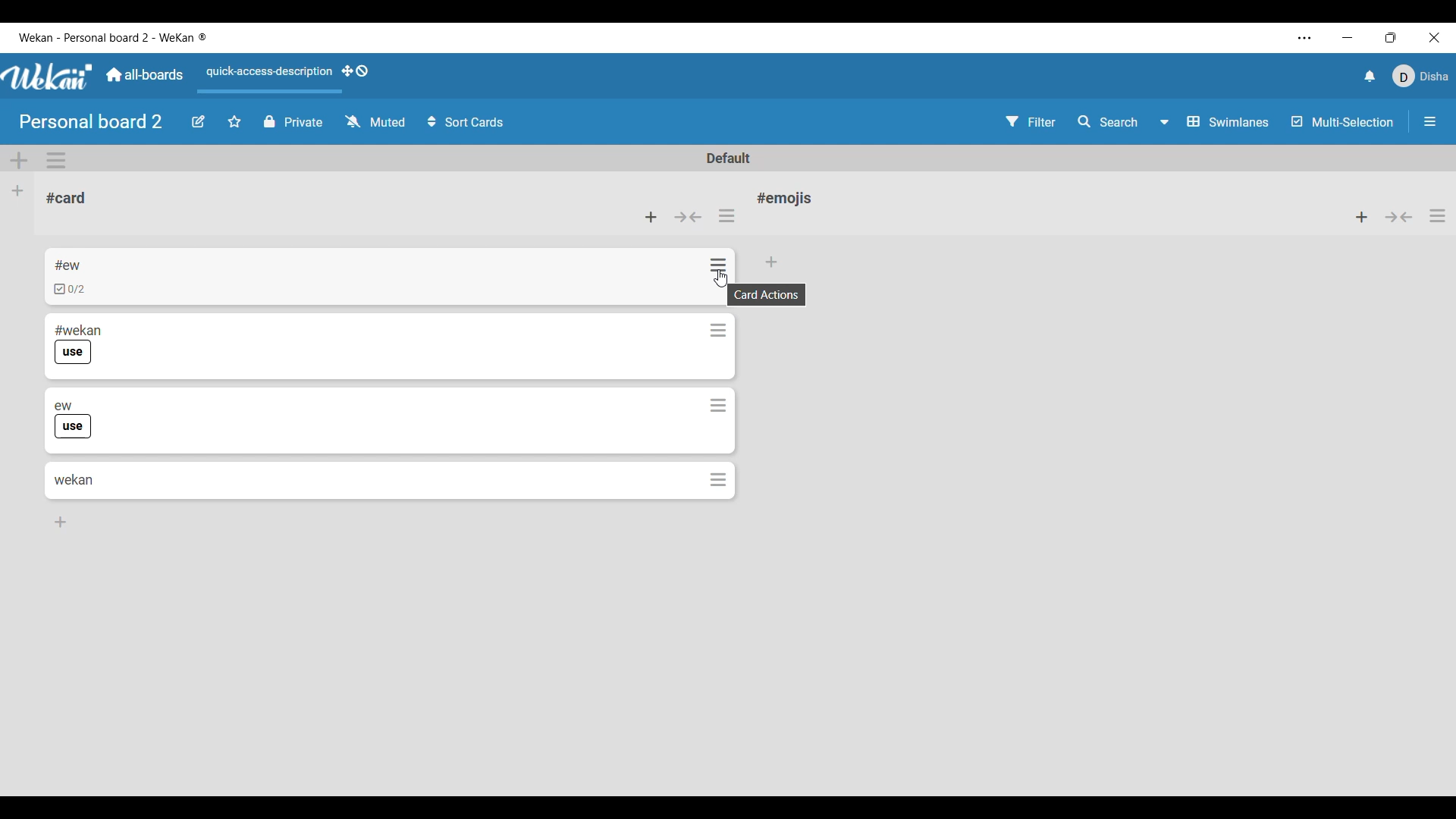 Image resolution: width=1456 pixels, height=819 pixels. I want to click on Privacy of board, so click(293, 121).